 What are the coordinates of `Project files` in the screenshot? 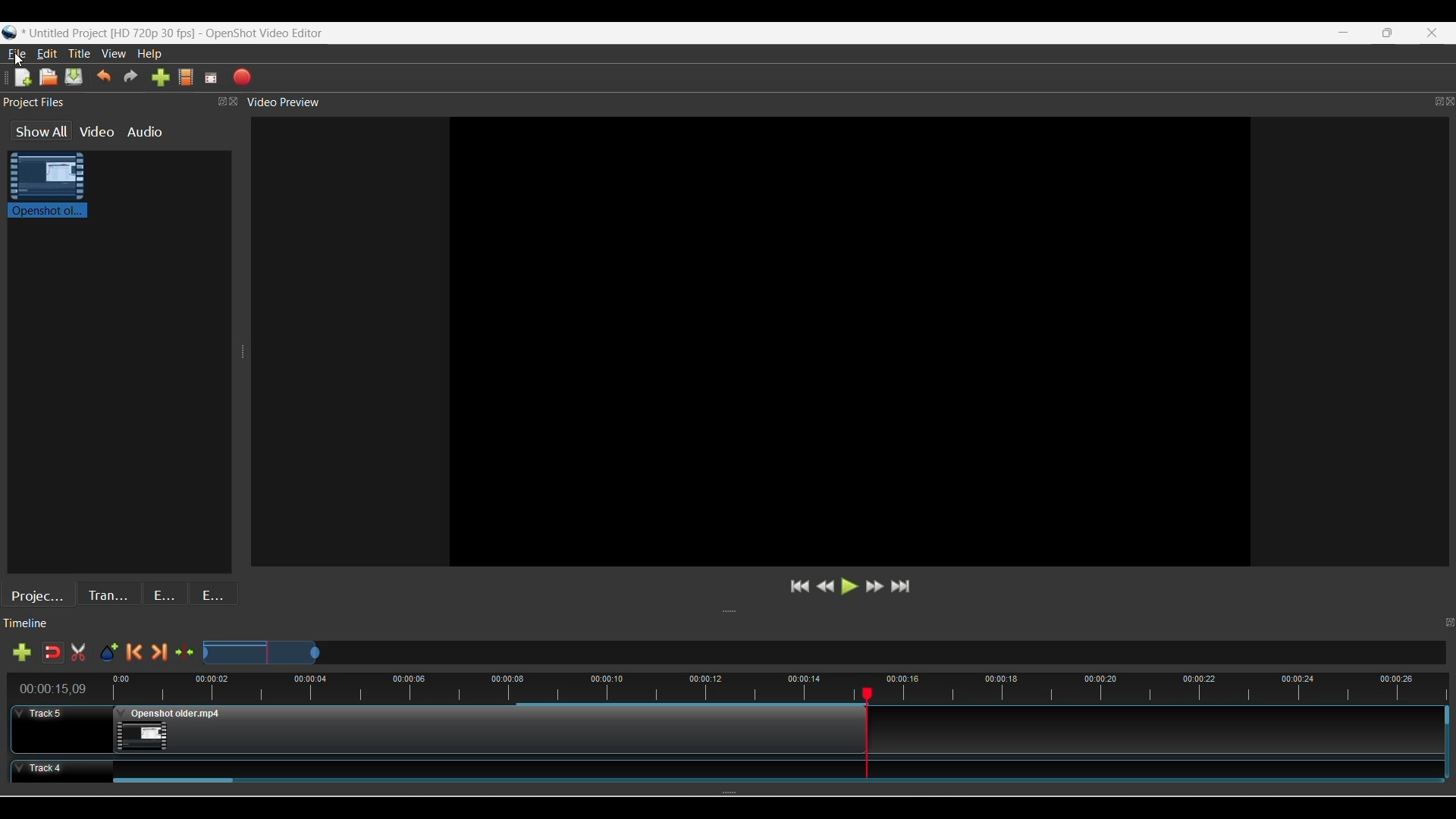 It's located at (38, 594).